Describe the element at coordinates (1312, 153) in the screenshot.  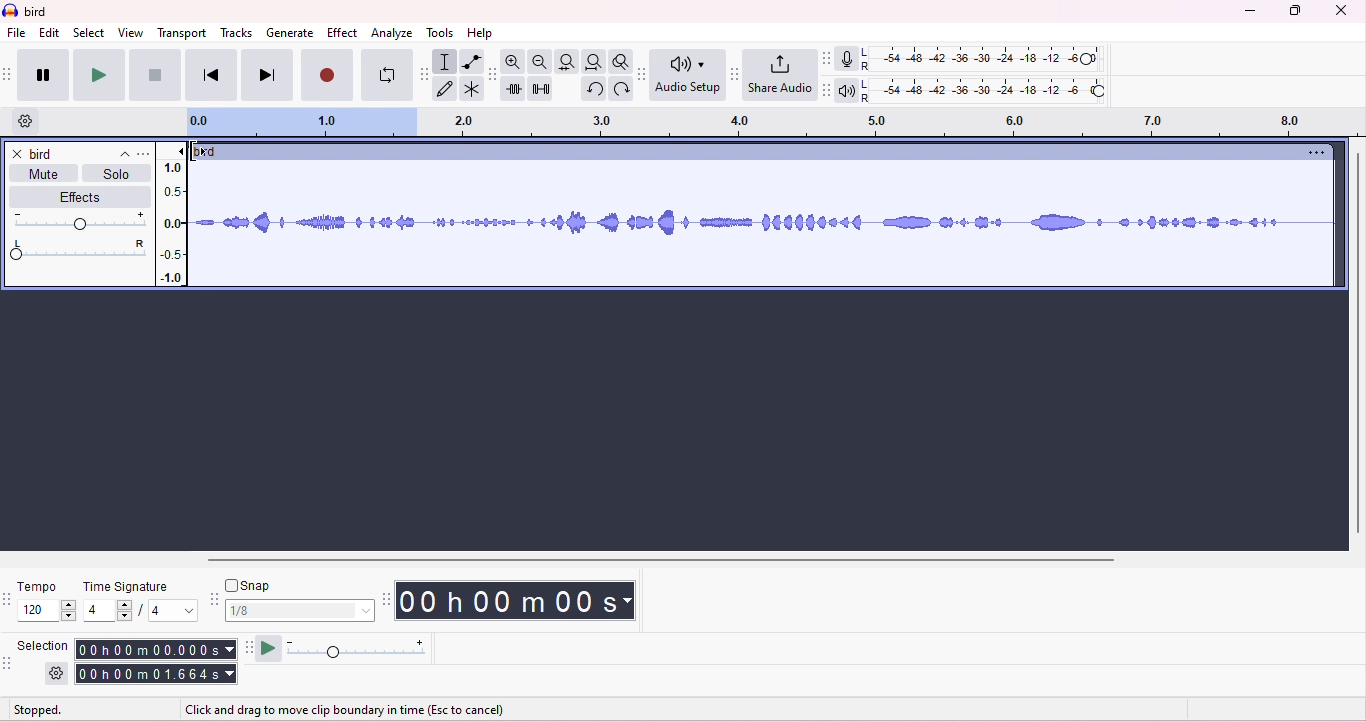
I see `options` at that location.